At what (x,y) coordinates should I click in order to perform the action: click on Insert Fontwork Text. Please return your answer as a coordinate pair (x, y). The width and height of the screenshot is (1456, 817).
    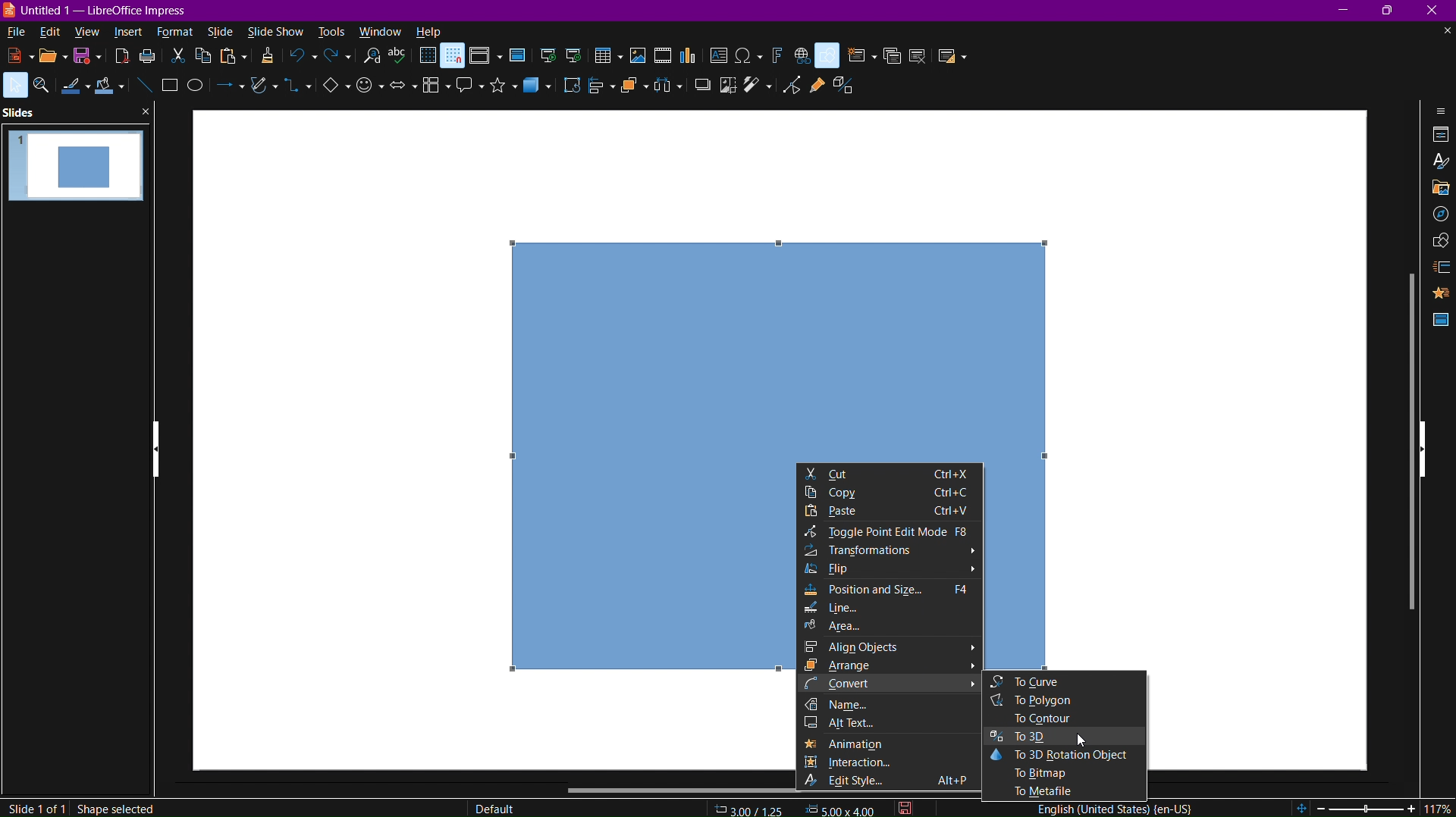
    Looking at the image, I should click on (775, 55).